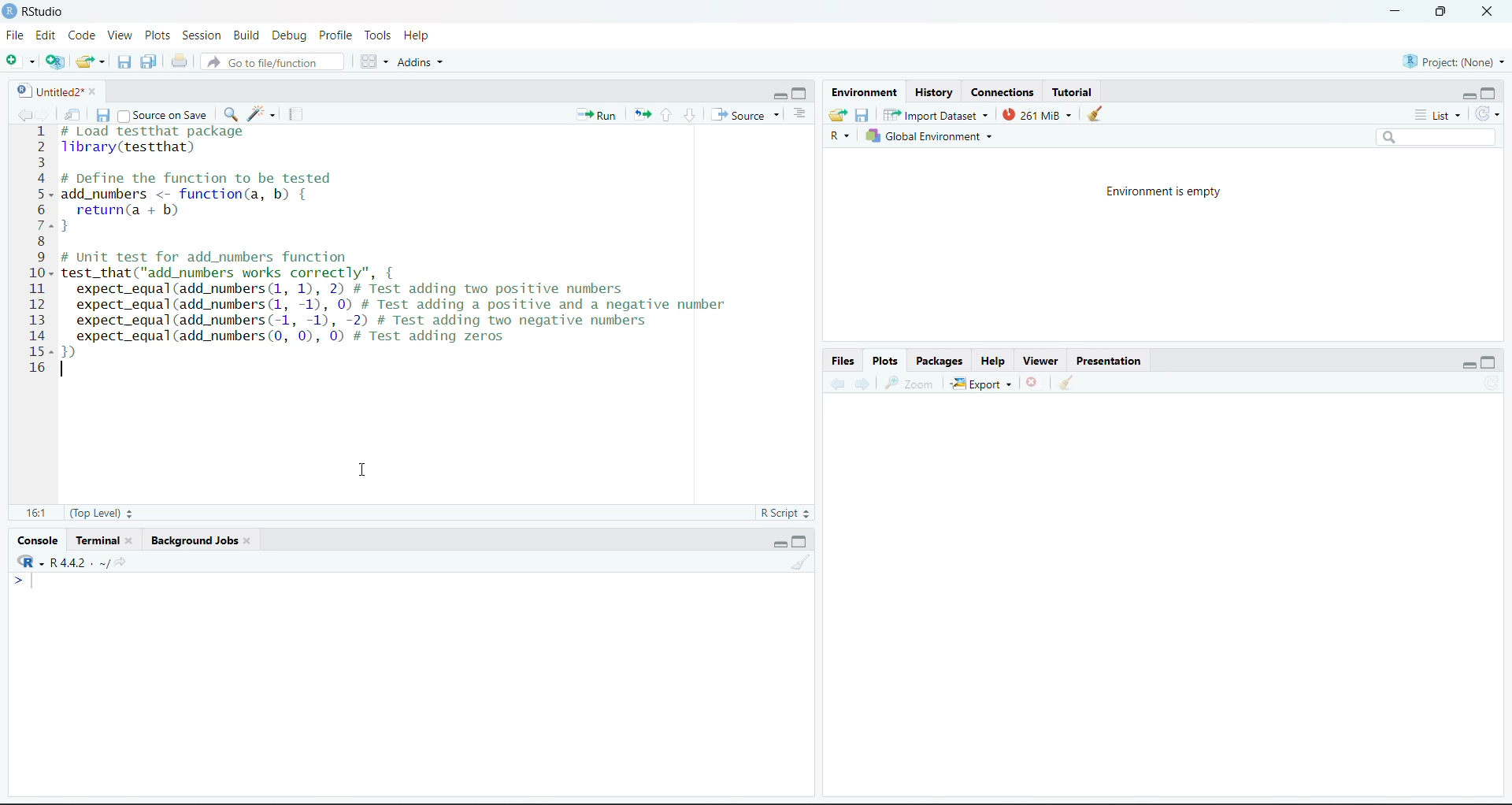  What do you see at coordinates (1485, 114) in the screenshot?
I see `Refresh` at bounding box center [1485, 114].